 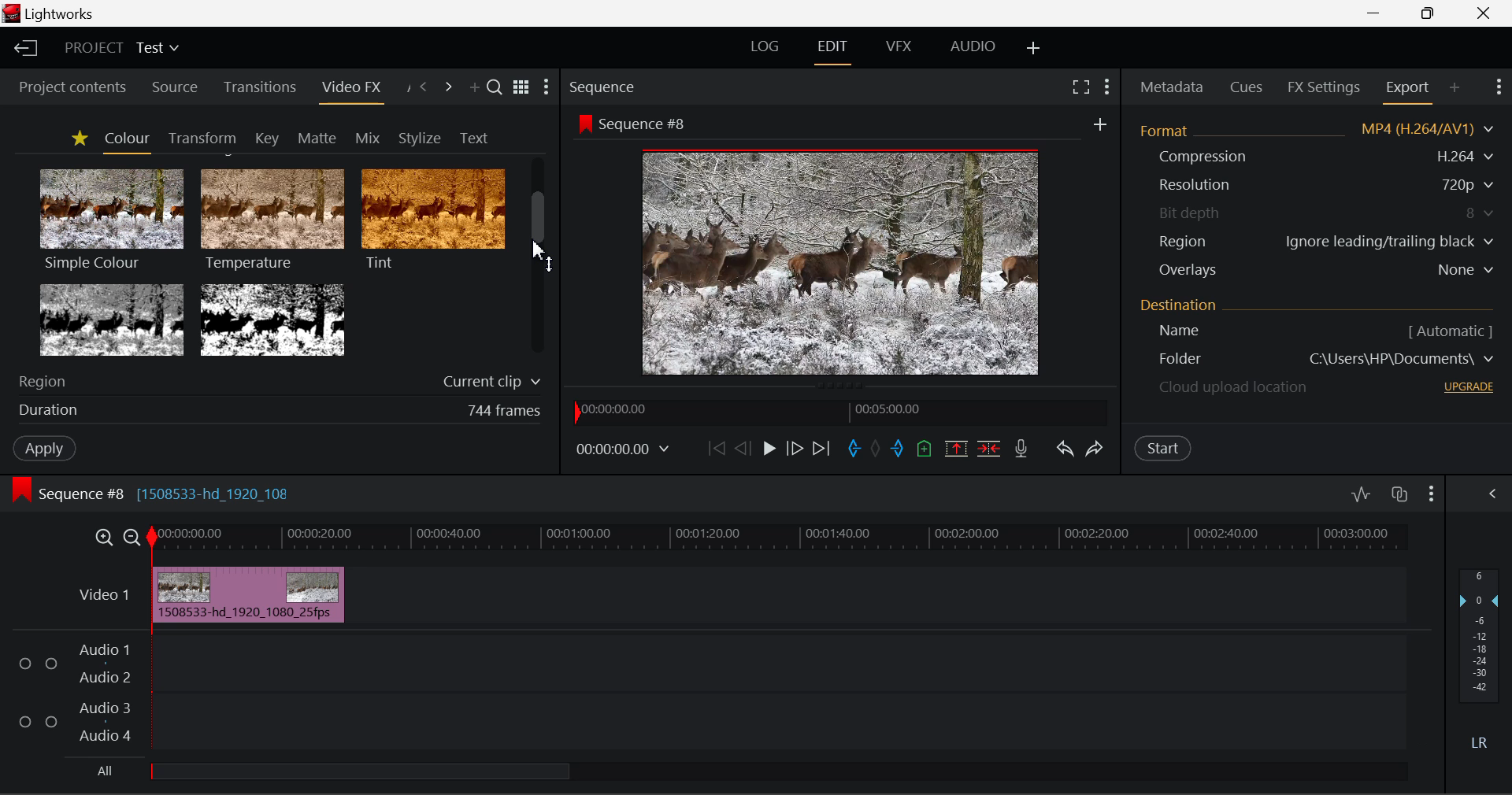 What do you see at coordinates (271, 220) in the screenshot?
I see `Temperature` at bounding box center [271, 220].